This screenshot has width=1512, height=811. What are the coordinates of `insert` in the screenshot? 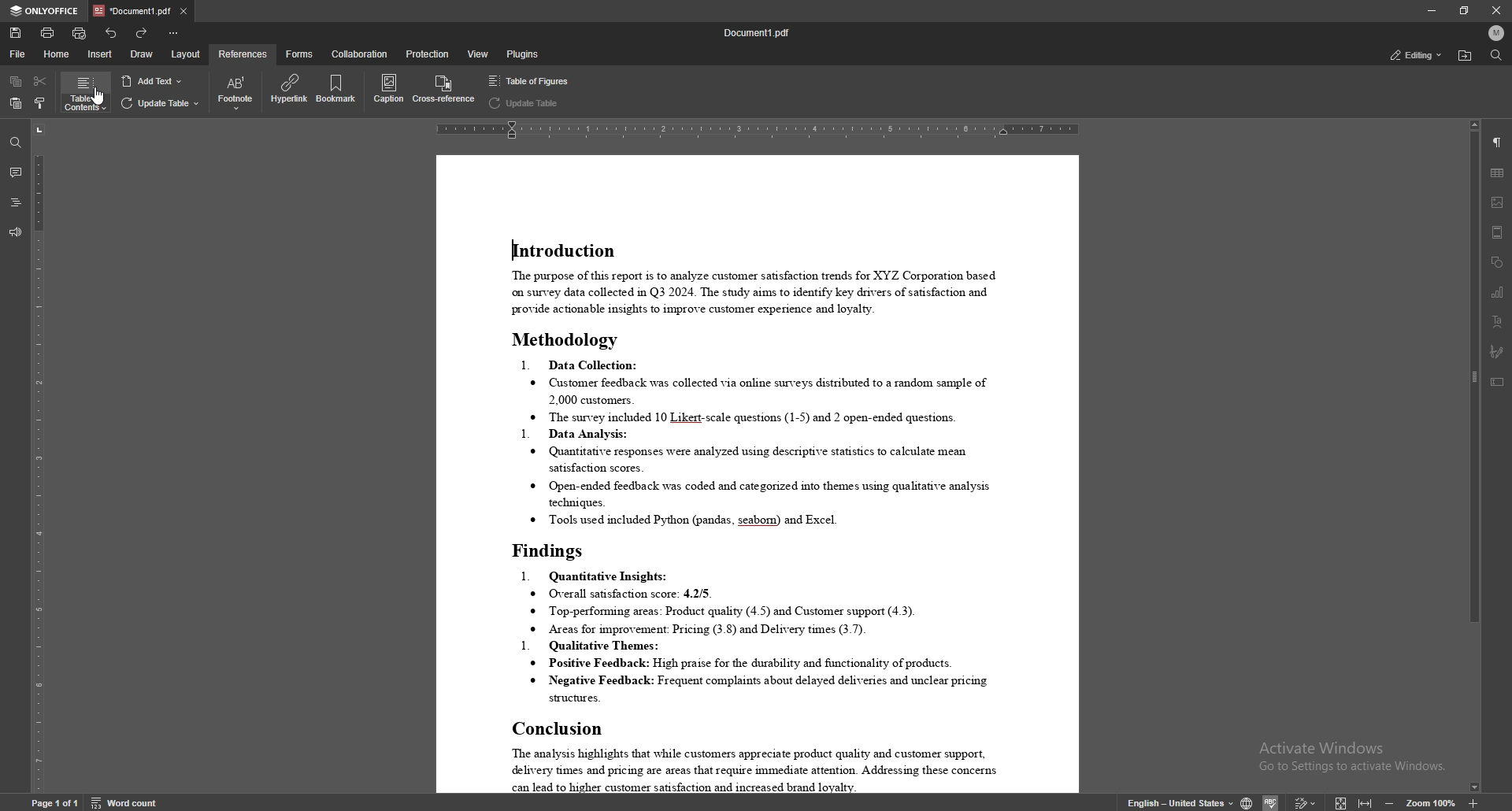 It's located at (100, 55).